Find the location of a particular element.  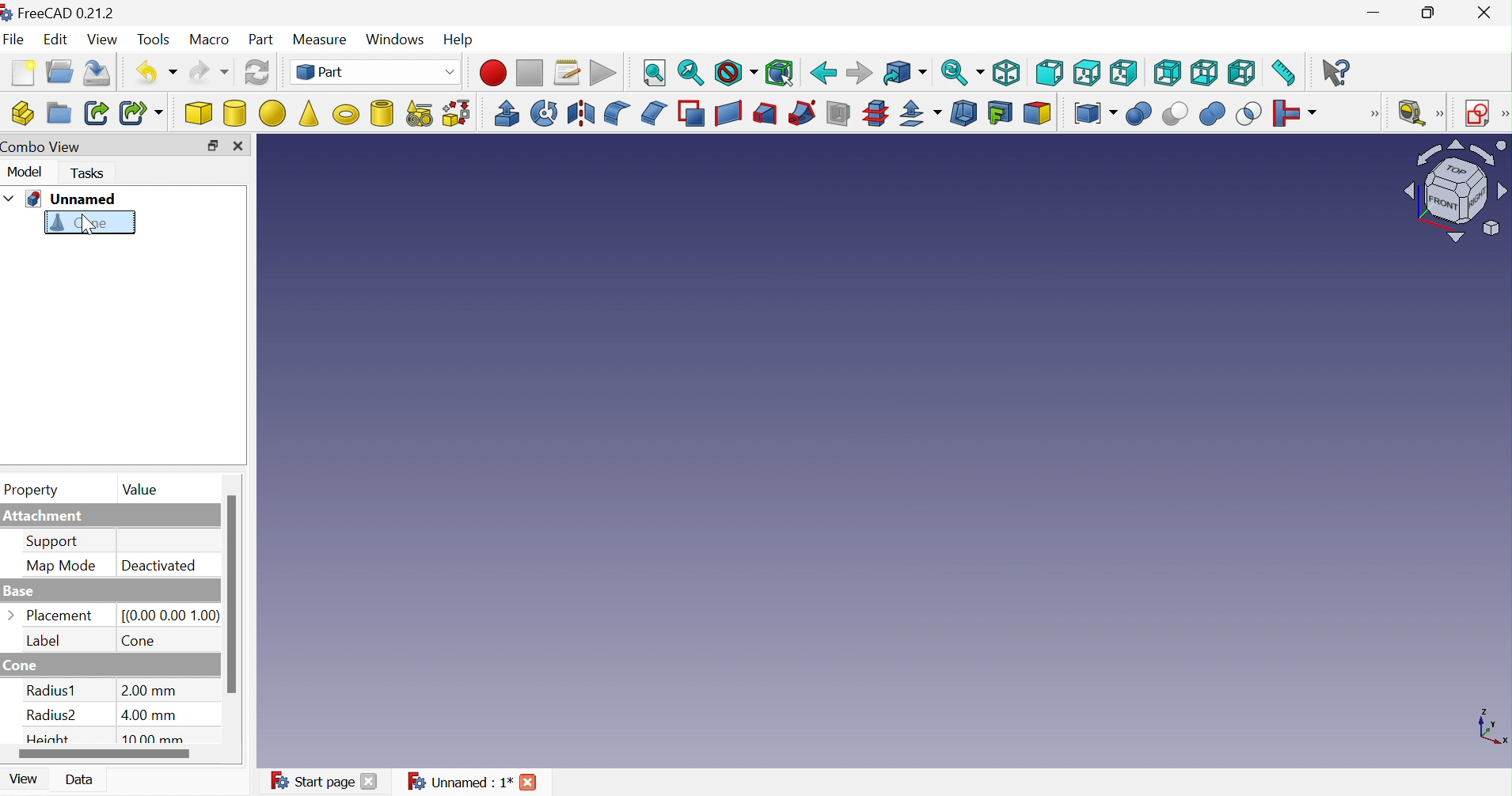

Make sub-link is located at coordinates (140, 112).